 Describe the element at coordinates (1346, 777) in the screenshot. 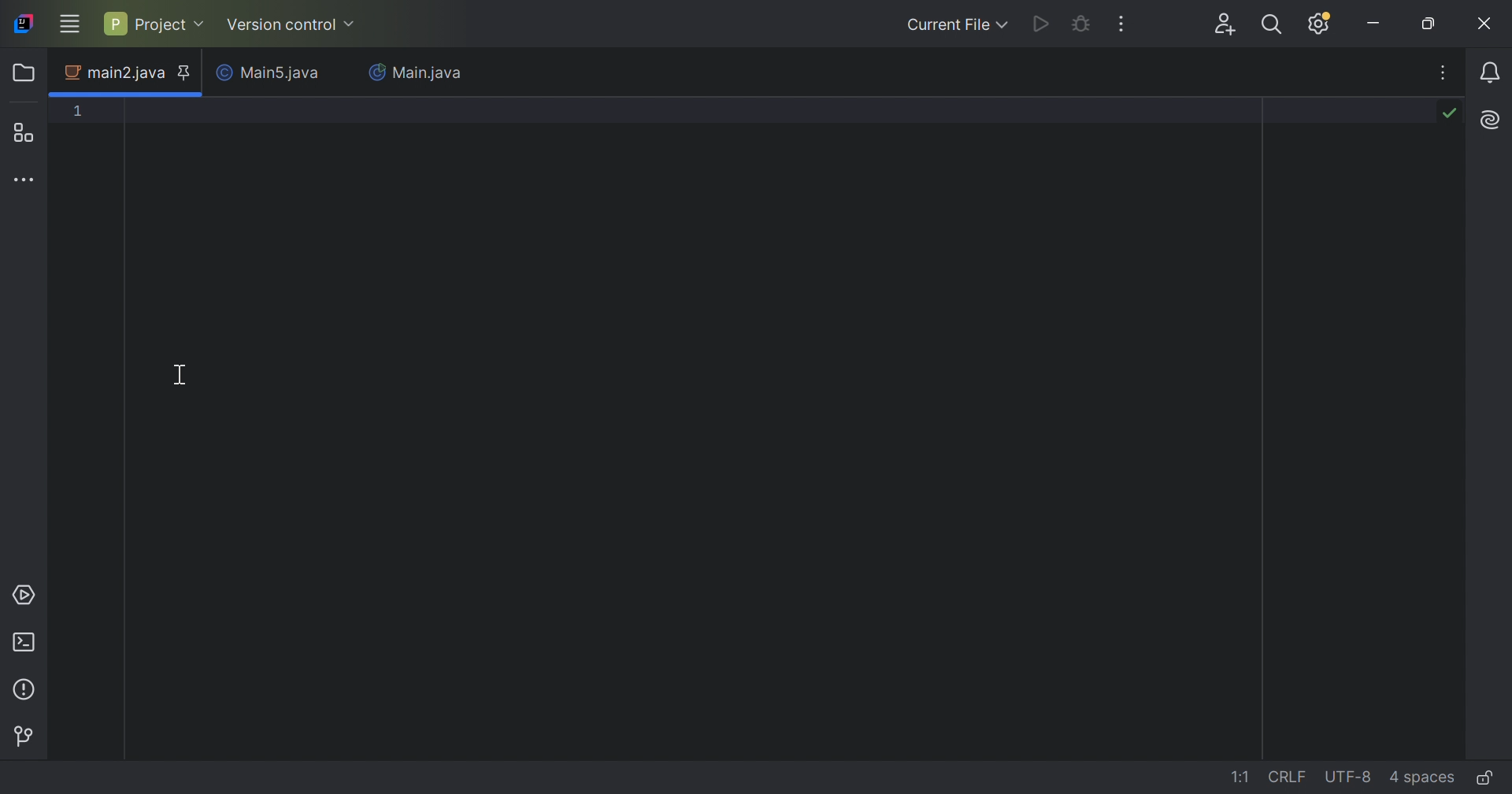

I see `file encoding: UTF-8` at that location.